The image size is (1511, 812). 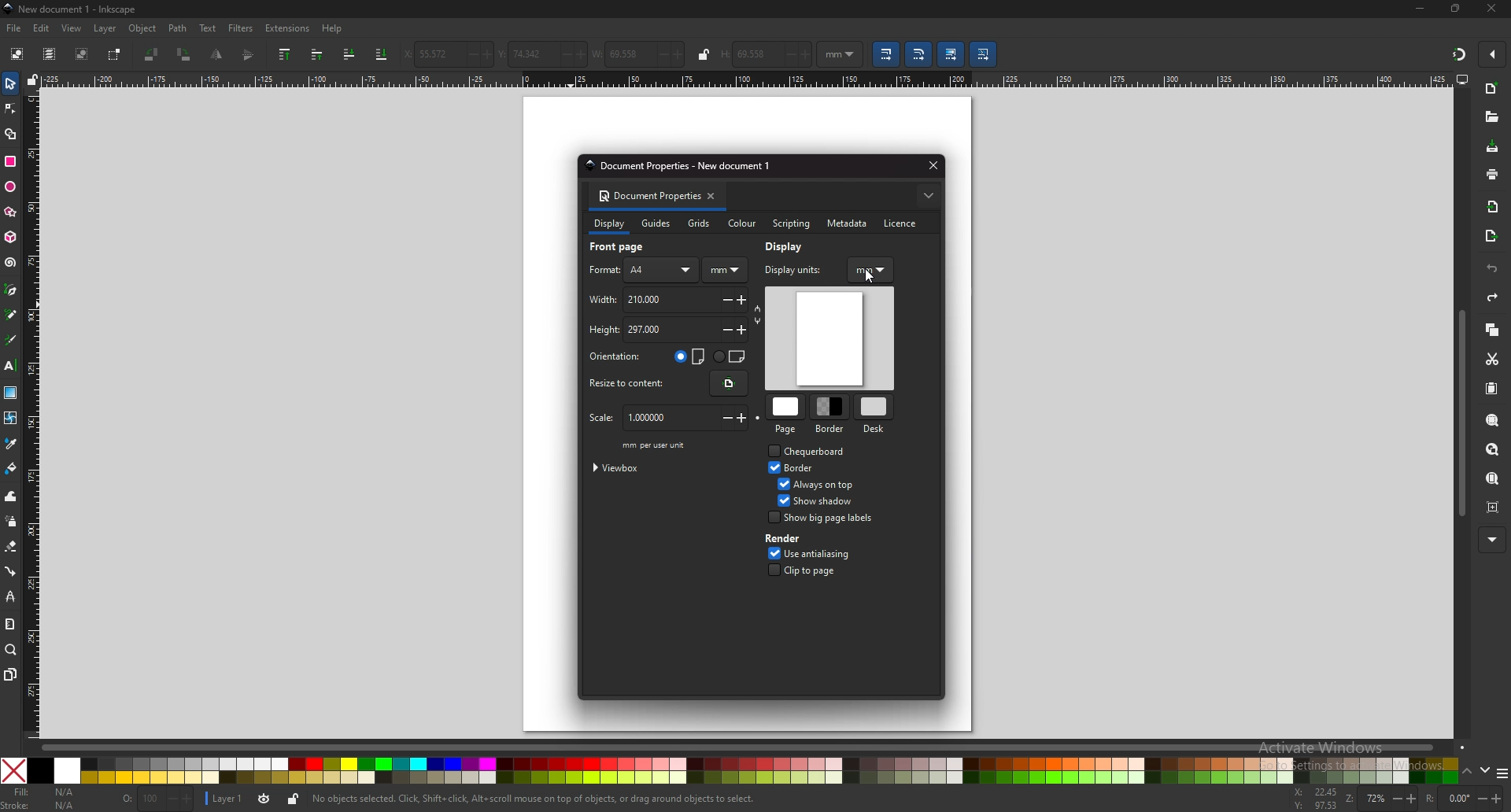 I want to click on move patterns, so click(x=985, y=54).